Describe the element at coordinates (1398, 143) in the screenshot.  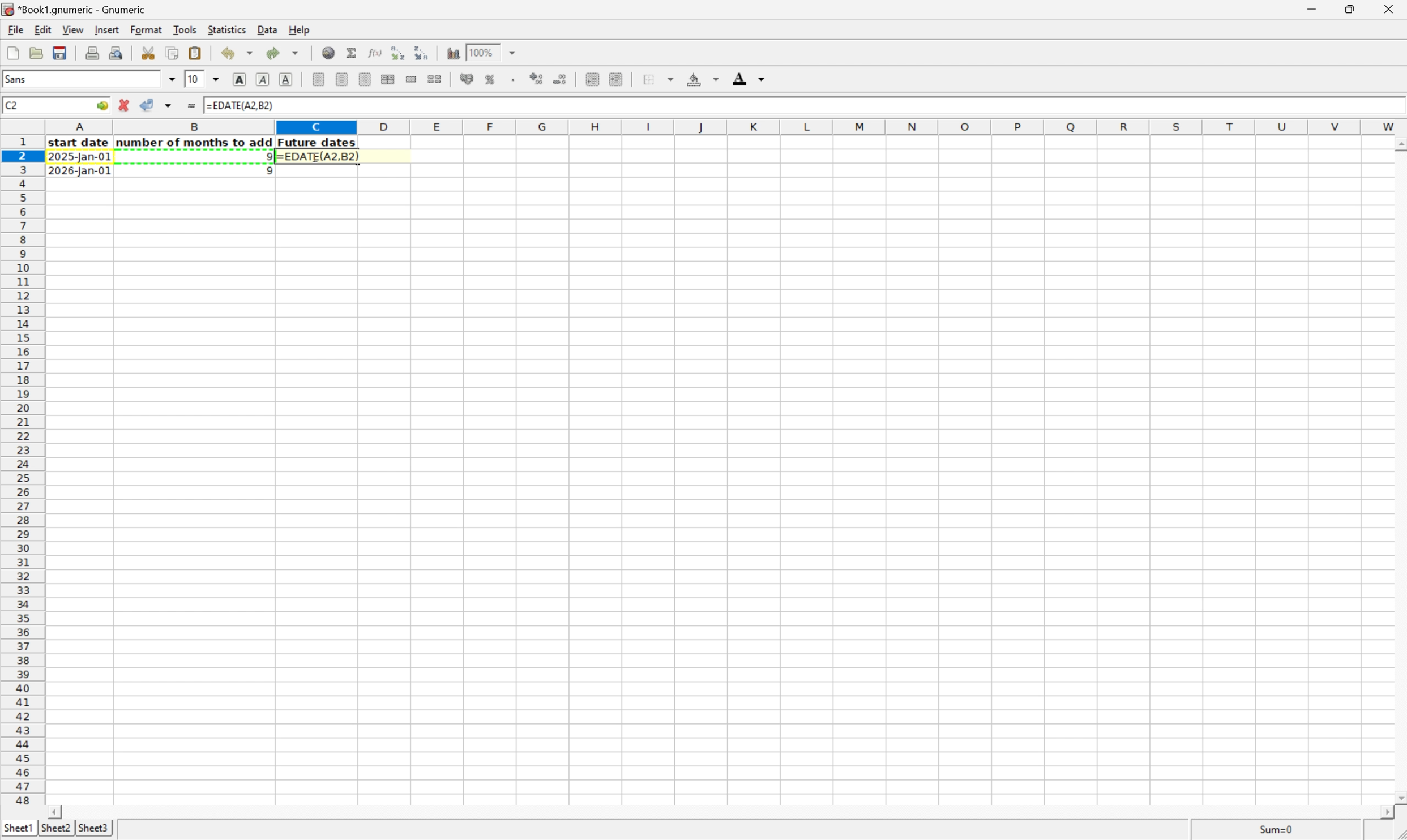
I see `Scroll Up` at that location.